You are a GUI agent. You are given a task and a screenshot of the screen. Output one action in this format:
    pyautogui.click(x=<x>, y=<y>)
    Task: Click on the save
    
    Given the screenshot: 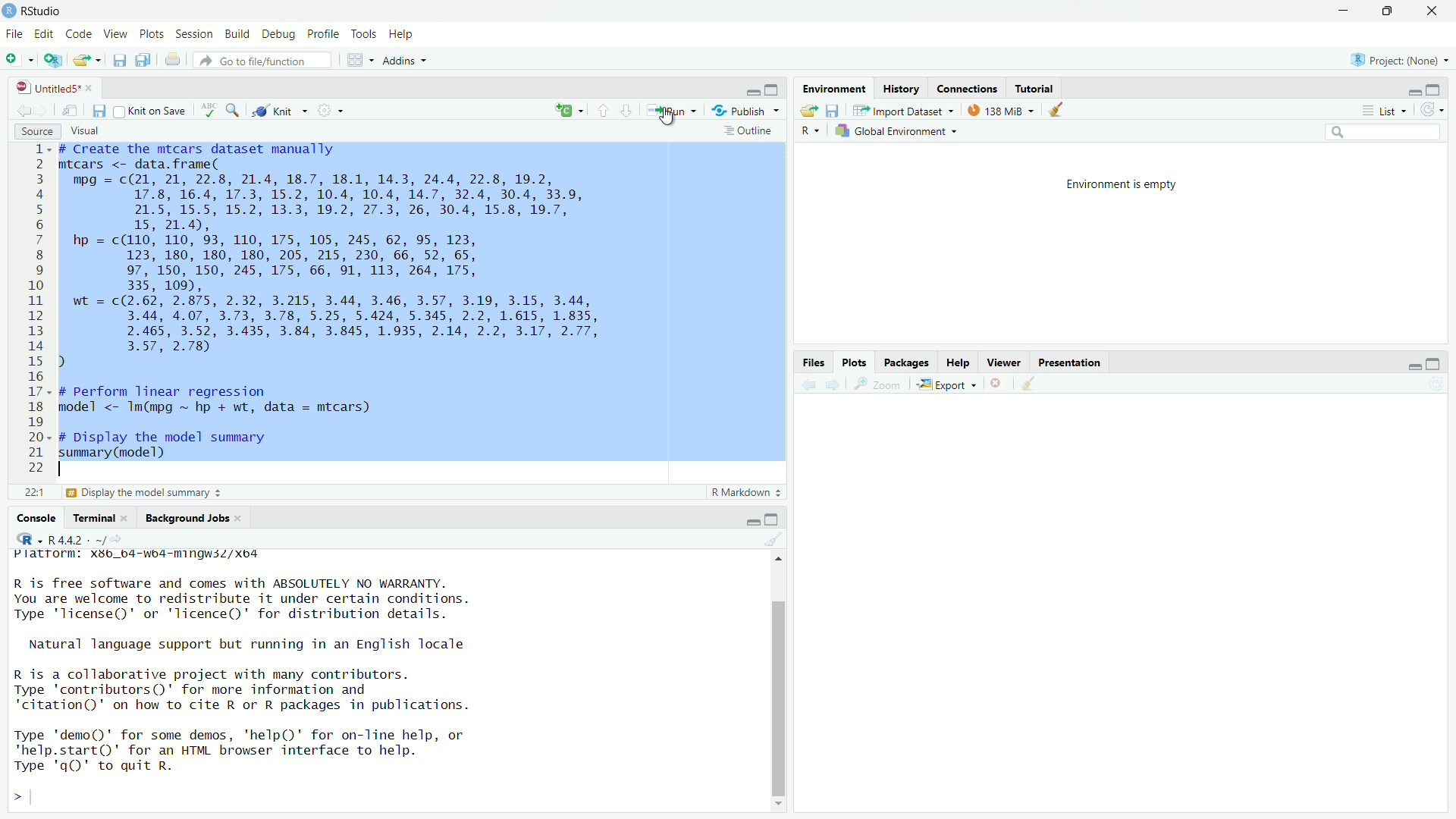 What is the action you would take?
    pyautogui.click(x=121, y=58)
    